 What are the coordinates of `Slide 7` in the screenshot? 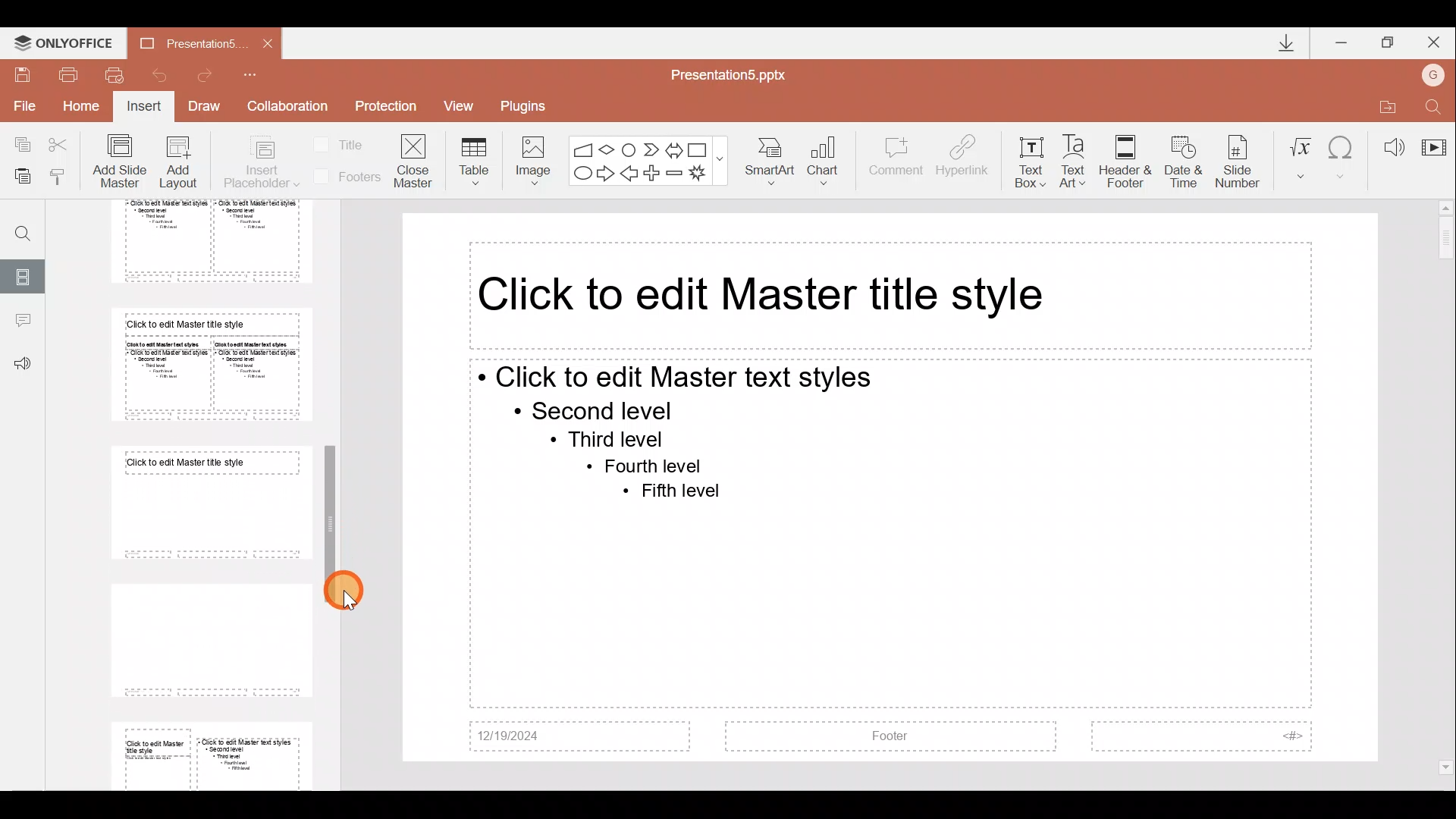 It's located at (206, 503).